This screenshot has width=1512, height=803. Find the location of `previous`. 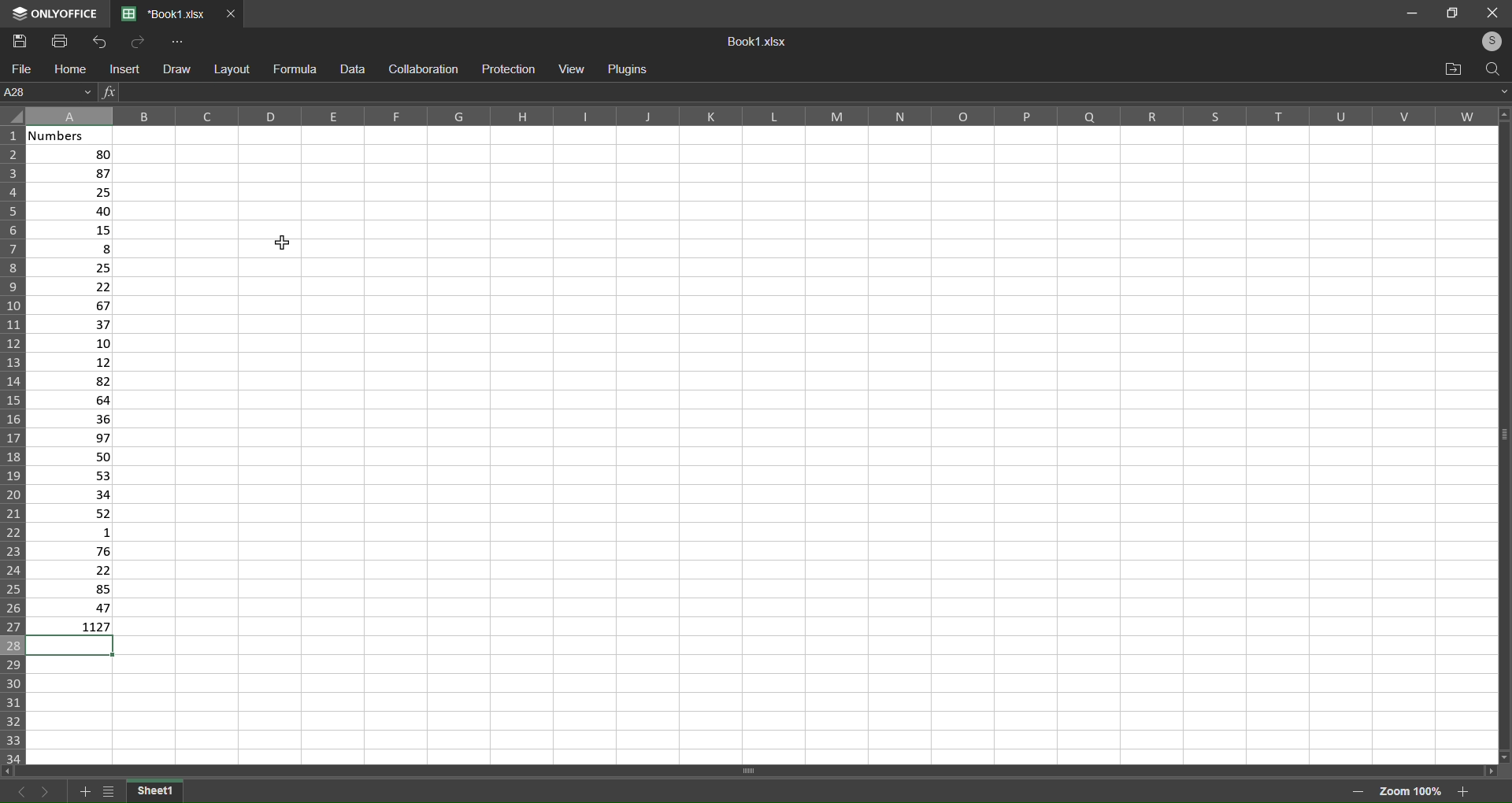

previous is located at coordinates (15, 789).